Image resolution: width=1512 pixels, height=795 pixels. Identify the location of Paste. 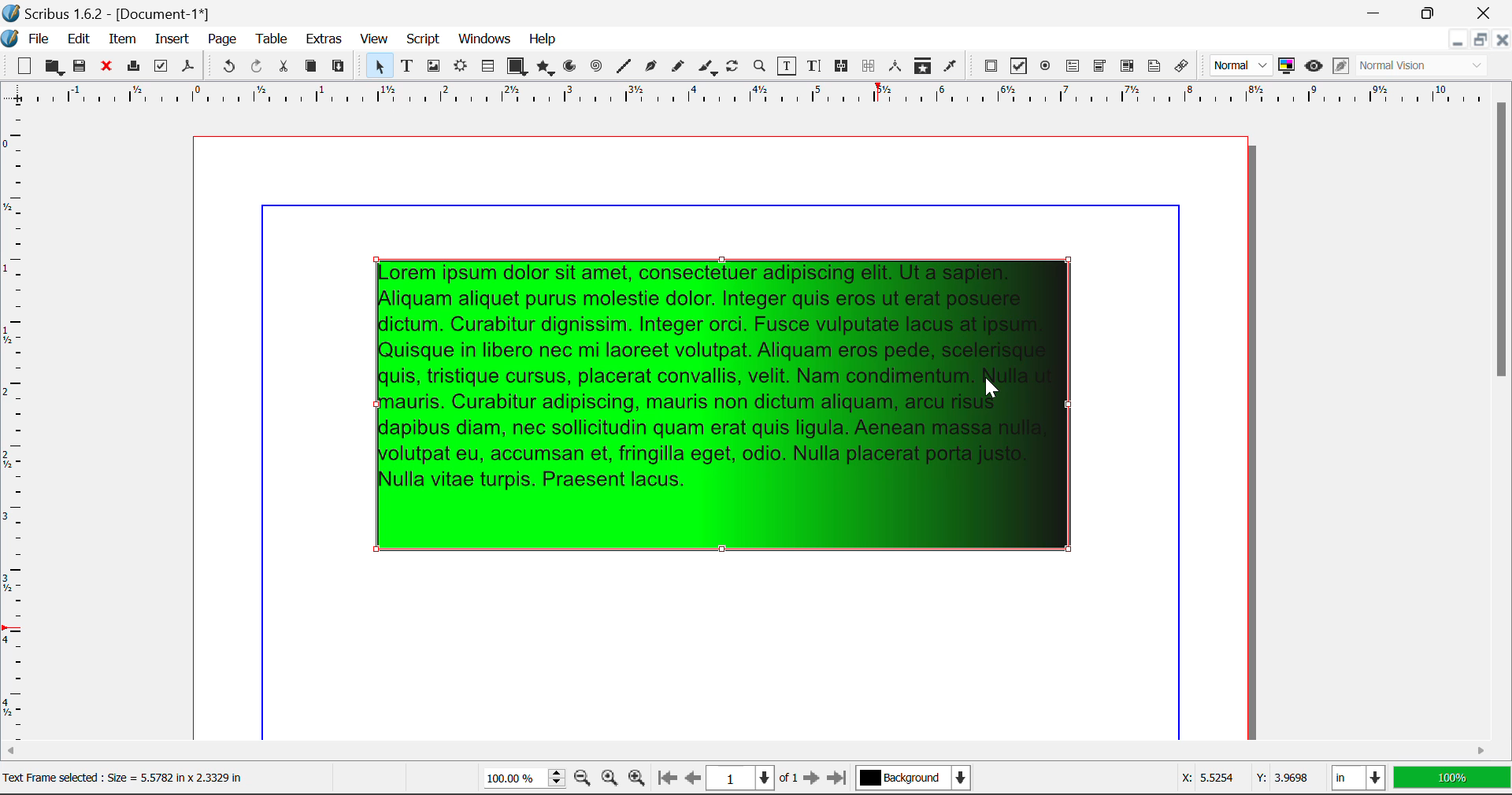
(339, 67).